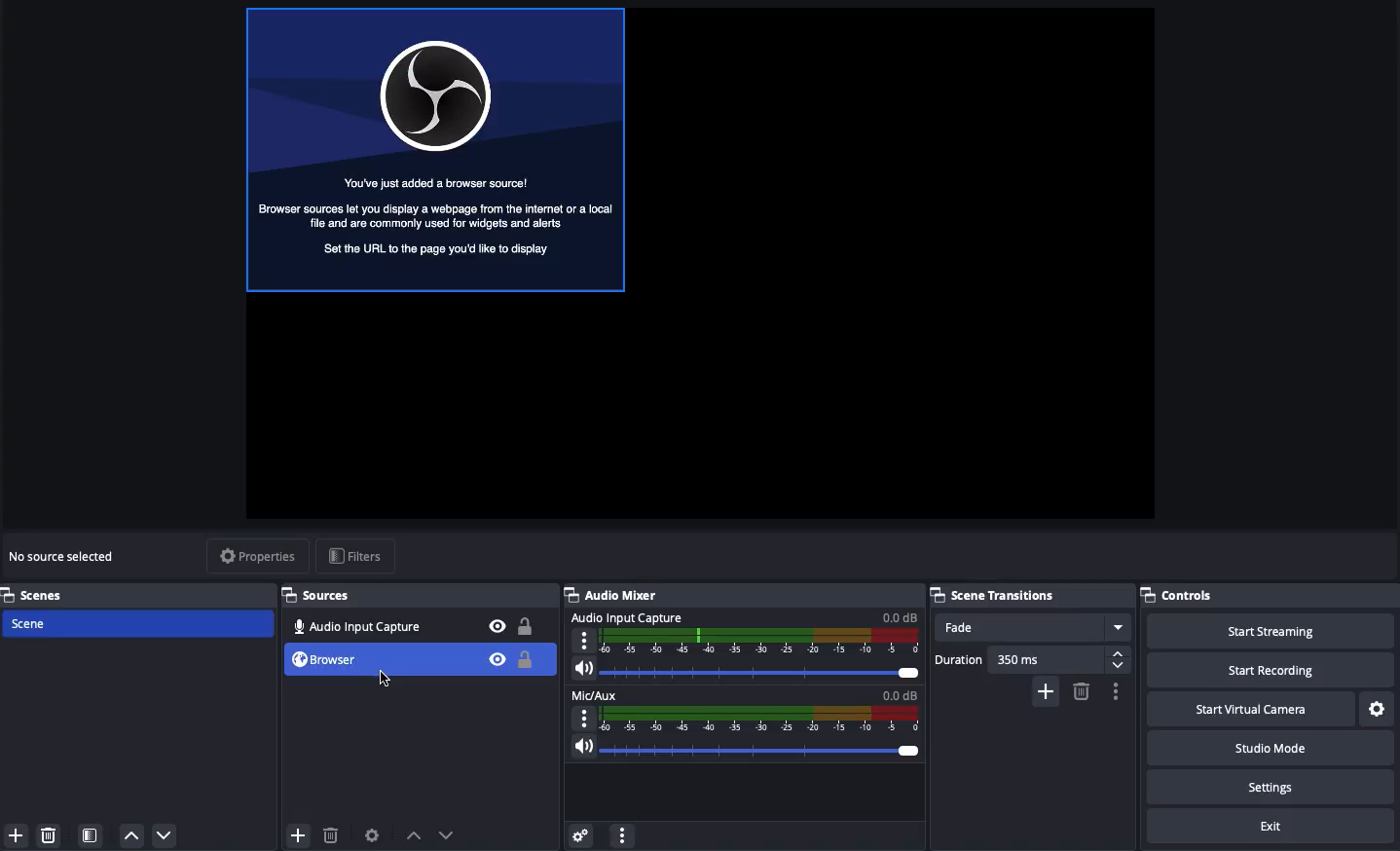  I want to click on Delete, so click(50, 836).